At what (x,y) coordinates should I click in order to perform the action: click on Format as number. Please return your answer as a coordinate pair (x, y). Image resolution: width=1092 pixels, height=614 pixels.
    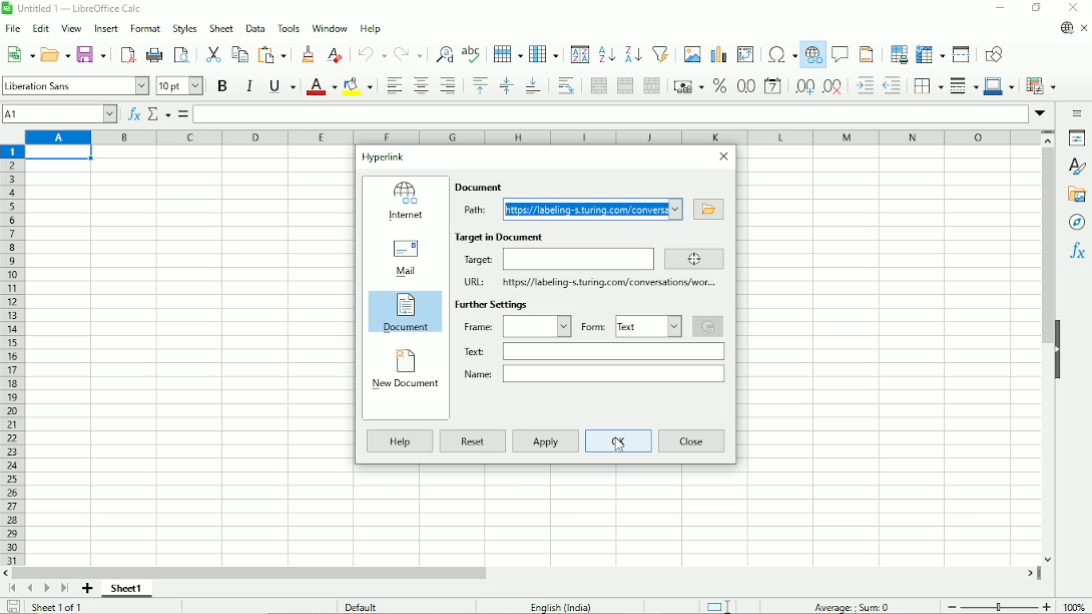
    Looking at the image, I should click on (719, 86).